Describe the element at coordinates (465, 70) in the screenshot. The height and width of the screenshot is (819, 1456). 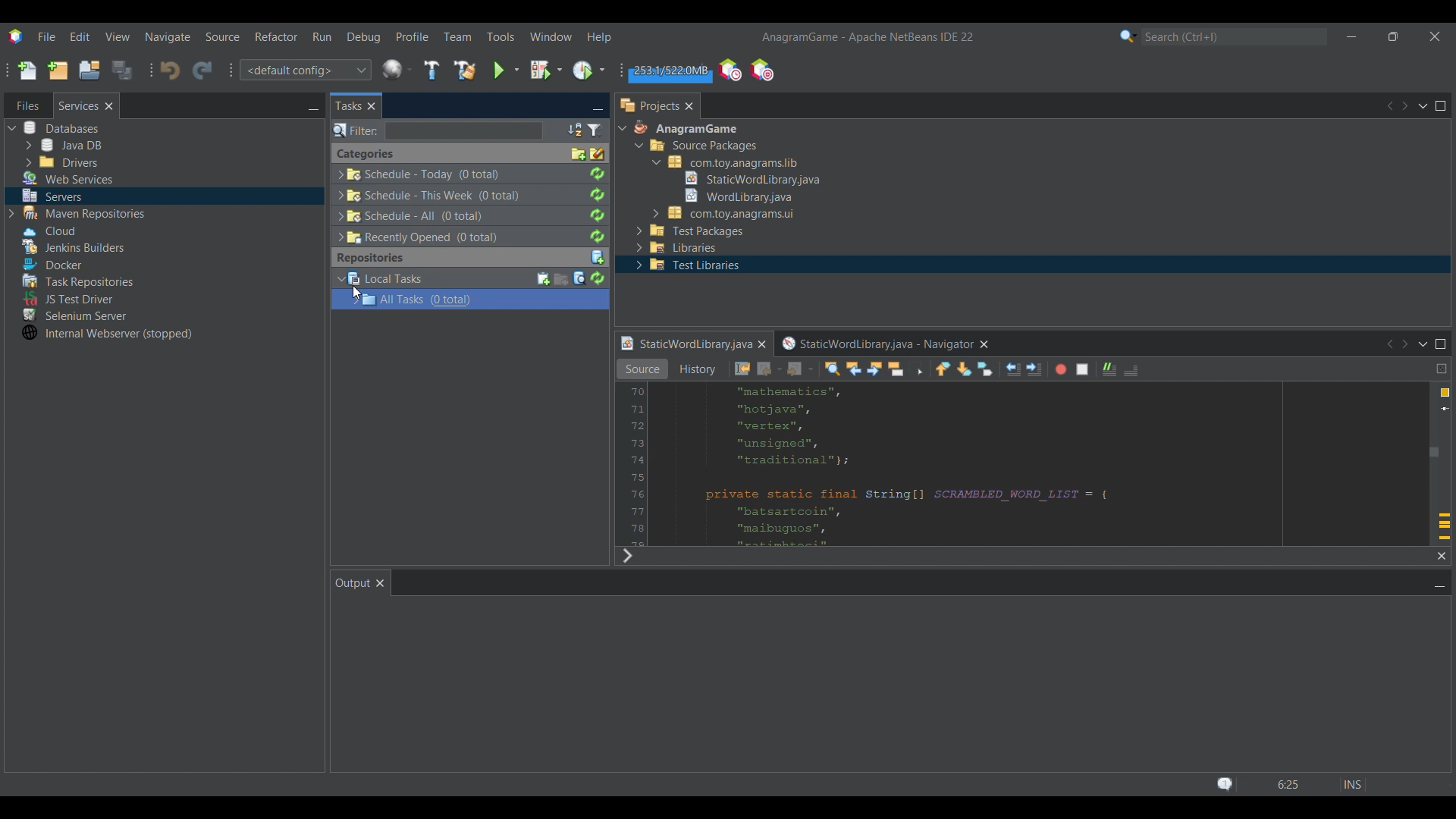
I see `Clean and build main project` at that location.